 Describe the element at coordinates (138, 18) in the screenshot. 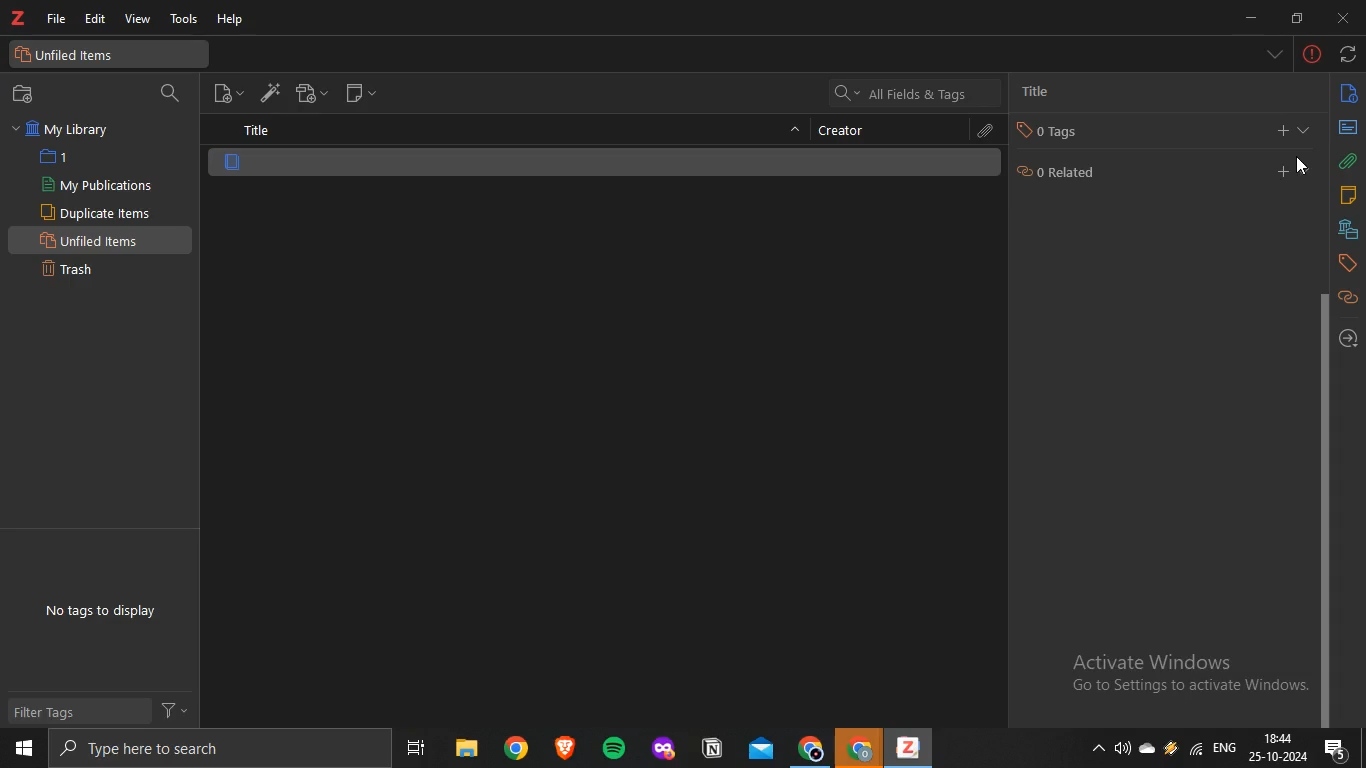

I see `view` at that location.